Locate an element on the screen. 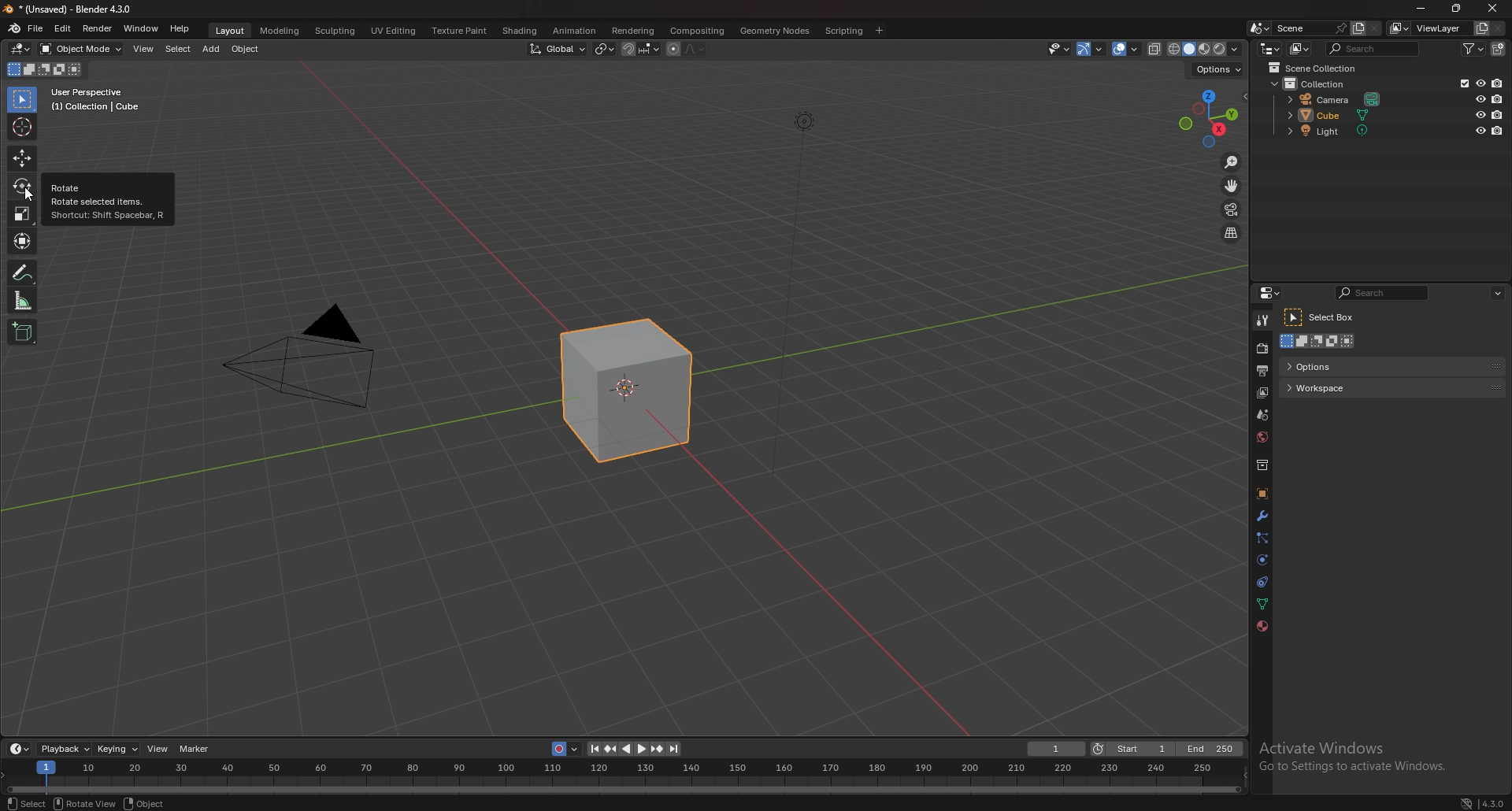  Maximize is located at coordinates (1458, 9).